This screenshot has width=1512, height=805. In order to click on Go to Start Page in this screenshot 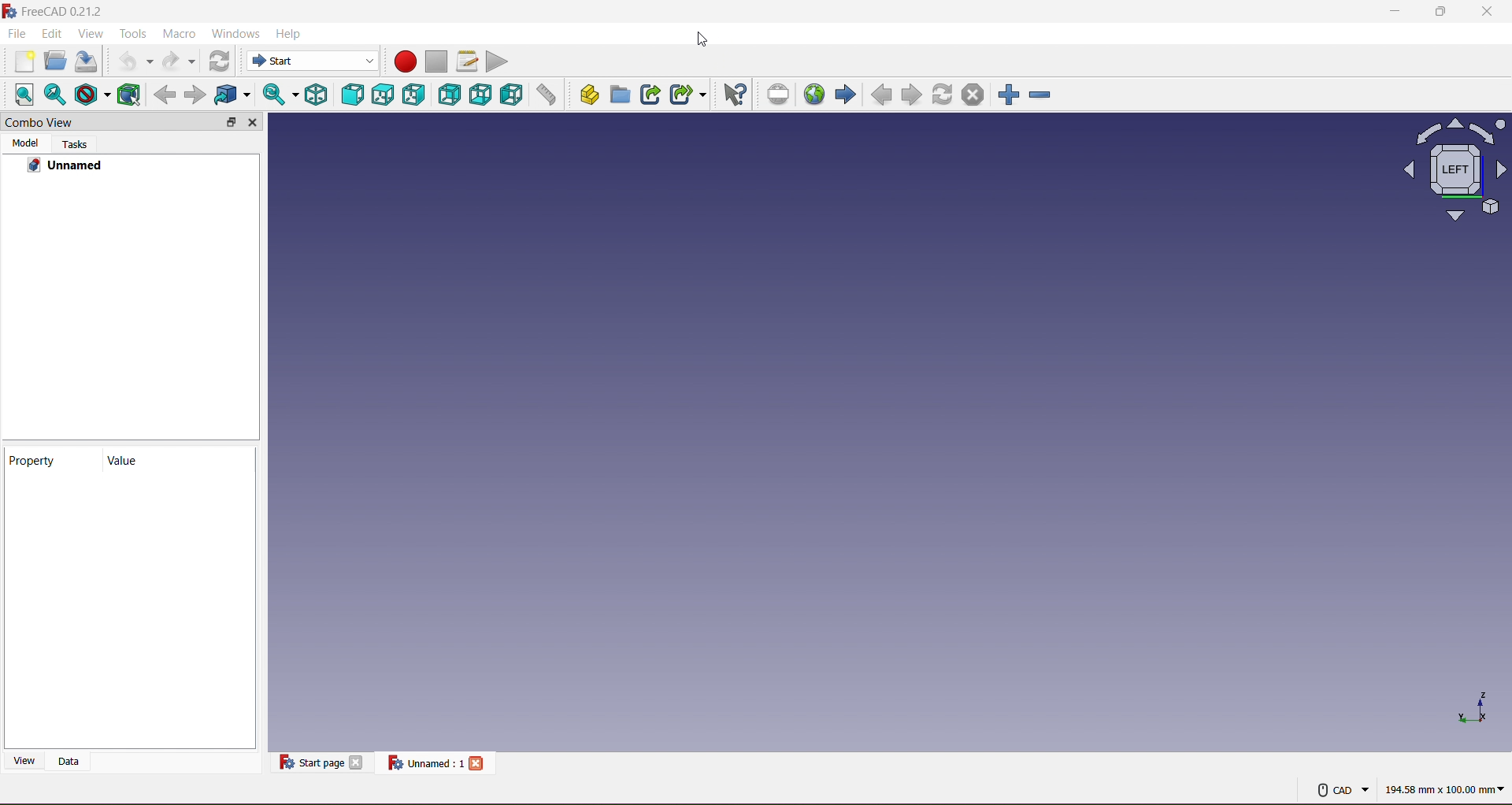, I will do `click(813, 94)`.